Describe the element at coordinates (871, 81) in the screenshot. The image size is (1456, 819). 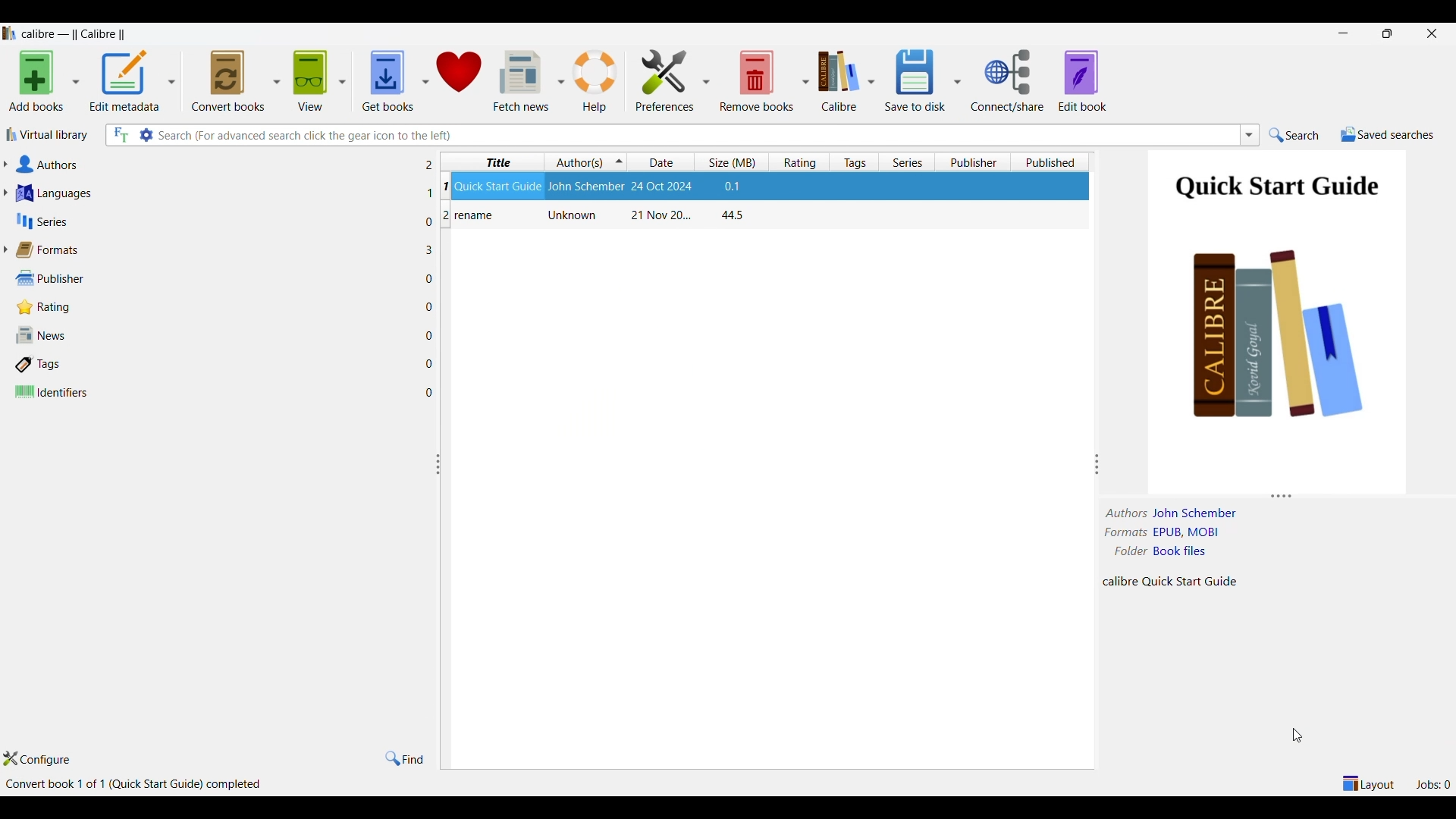
I see `Calibre options` at that location.